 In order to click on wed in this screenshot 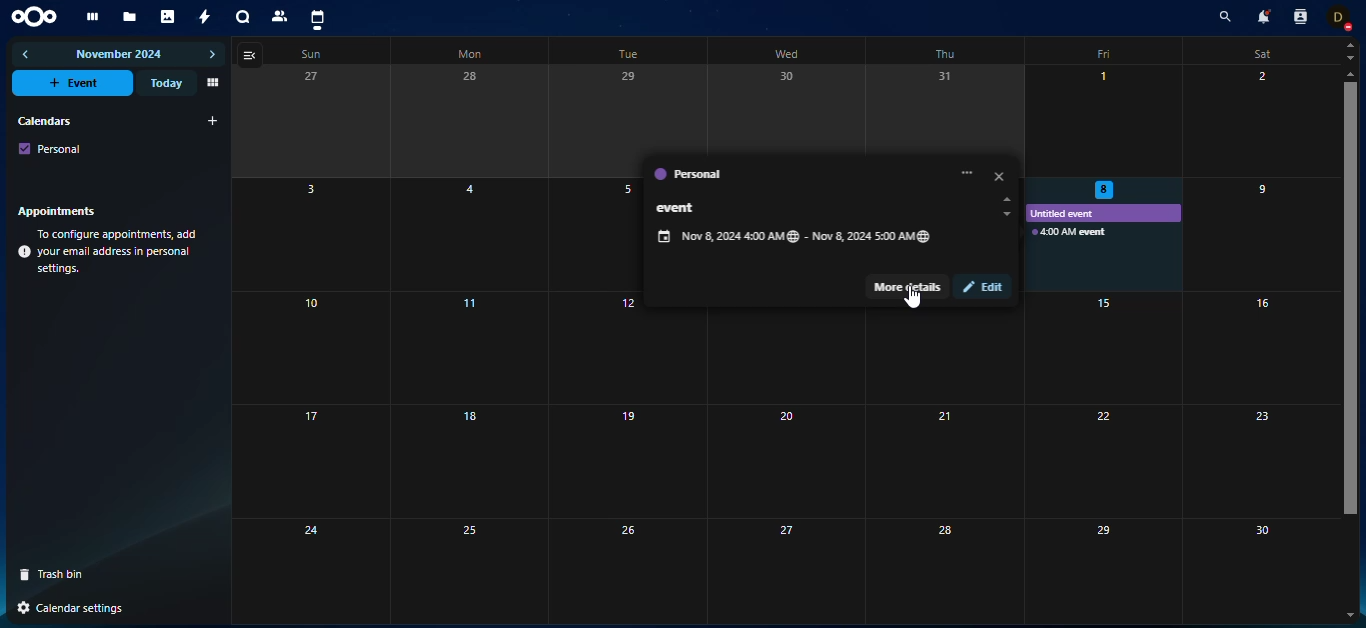, I will do `click(787, 53)`.